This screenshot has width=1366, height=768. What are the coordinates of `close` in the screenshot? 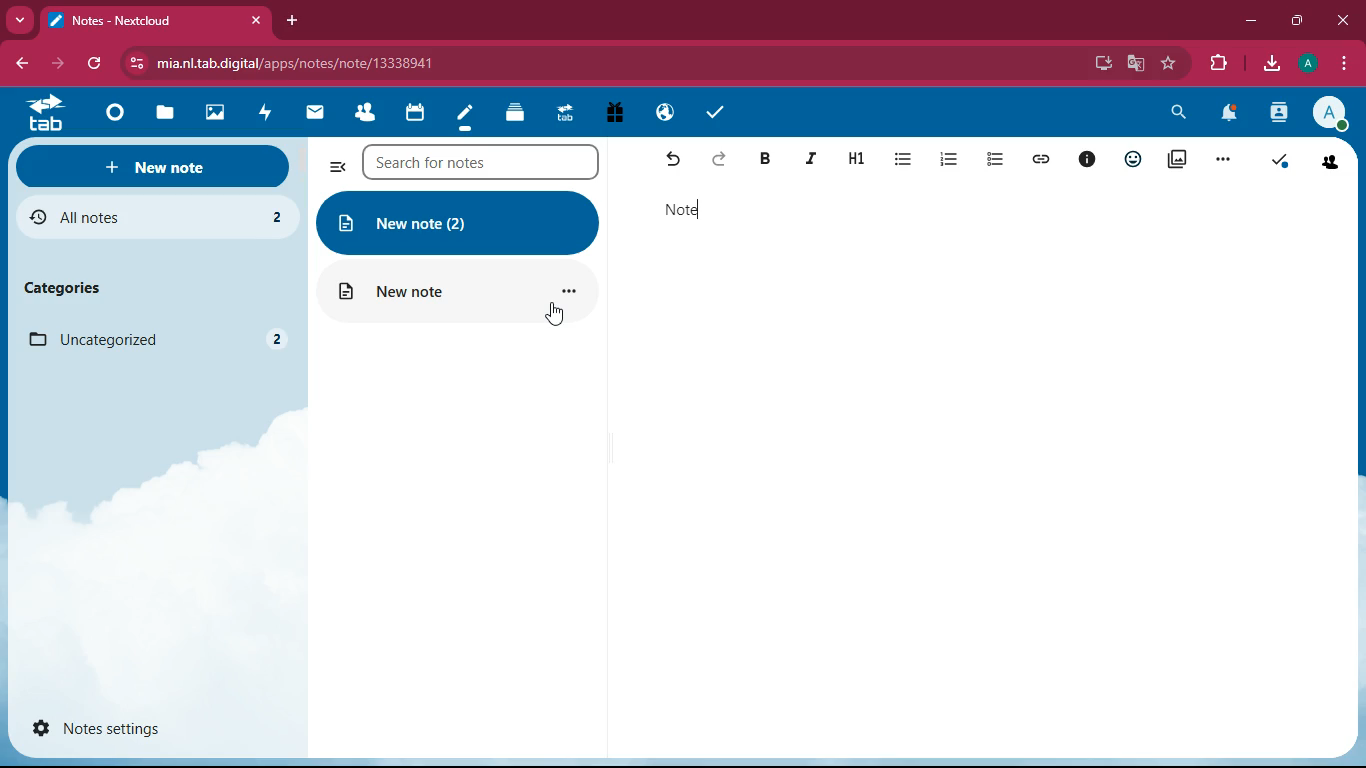 It's located at (1345, 21).